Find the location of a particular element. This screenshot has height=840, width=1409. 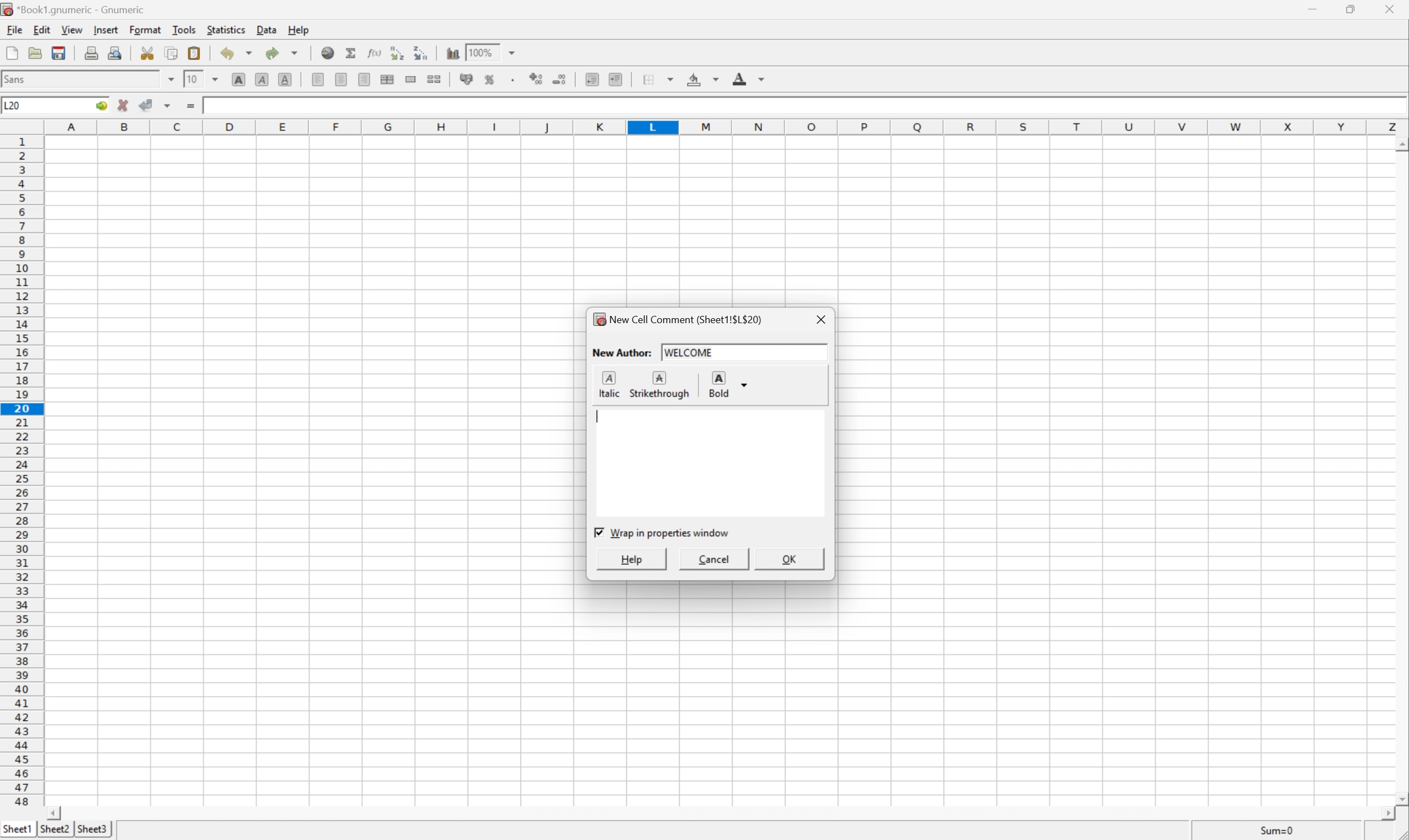

Data is located at coordinates (265, 29).